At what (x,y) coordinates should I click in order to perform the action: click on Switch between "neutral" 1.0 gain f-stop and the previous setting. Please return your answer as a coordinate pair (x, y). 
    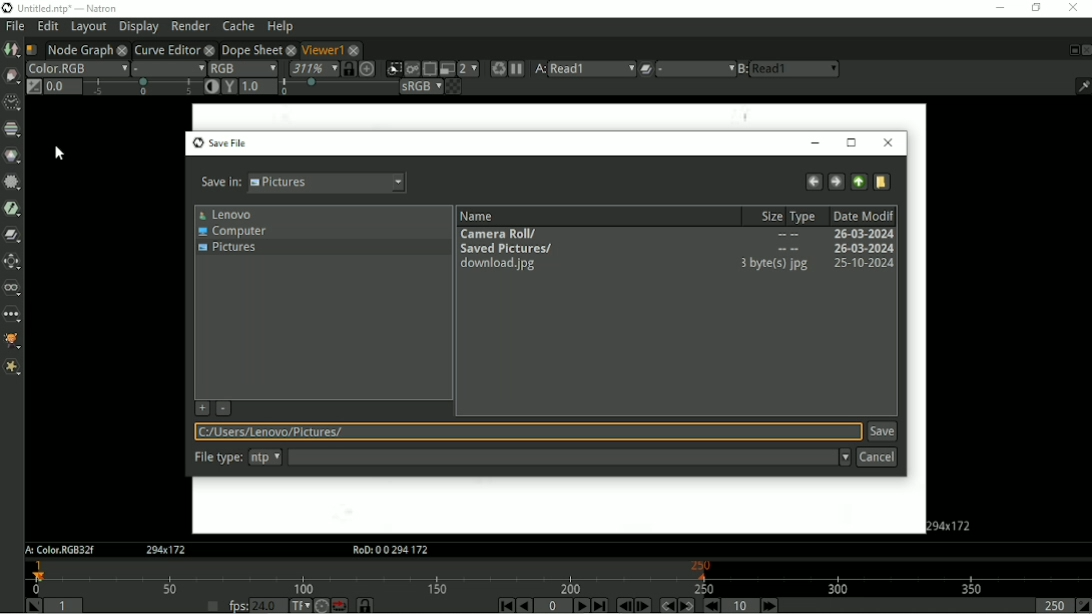
    Looking at the image, I should click on (34, 86).